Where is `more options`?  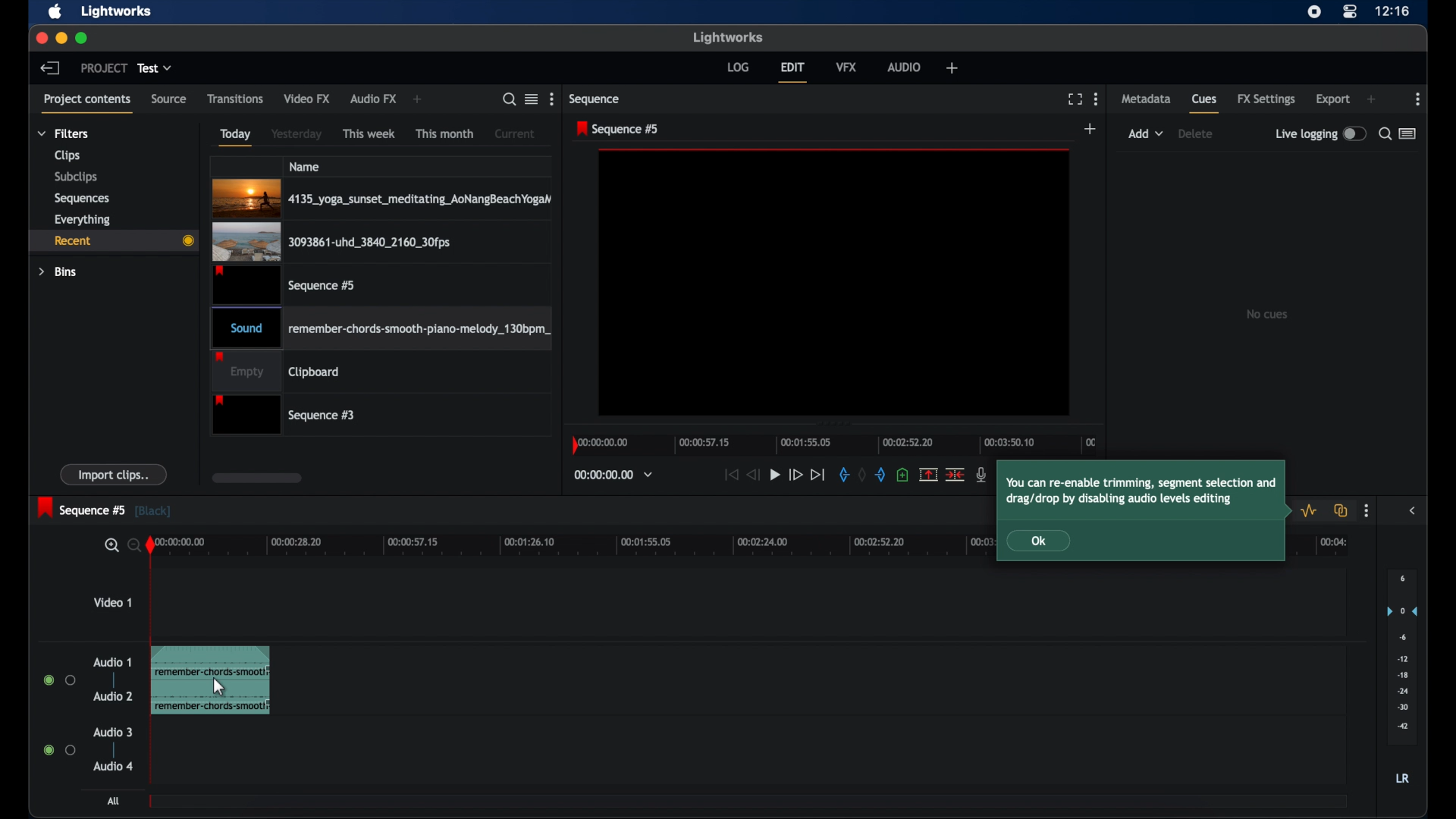 more options is located at coordinates (1366, 511).